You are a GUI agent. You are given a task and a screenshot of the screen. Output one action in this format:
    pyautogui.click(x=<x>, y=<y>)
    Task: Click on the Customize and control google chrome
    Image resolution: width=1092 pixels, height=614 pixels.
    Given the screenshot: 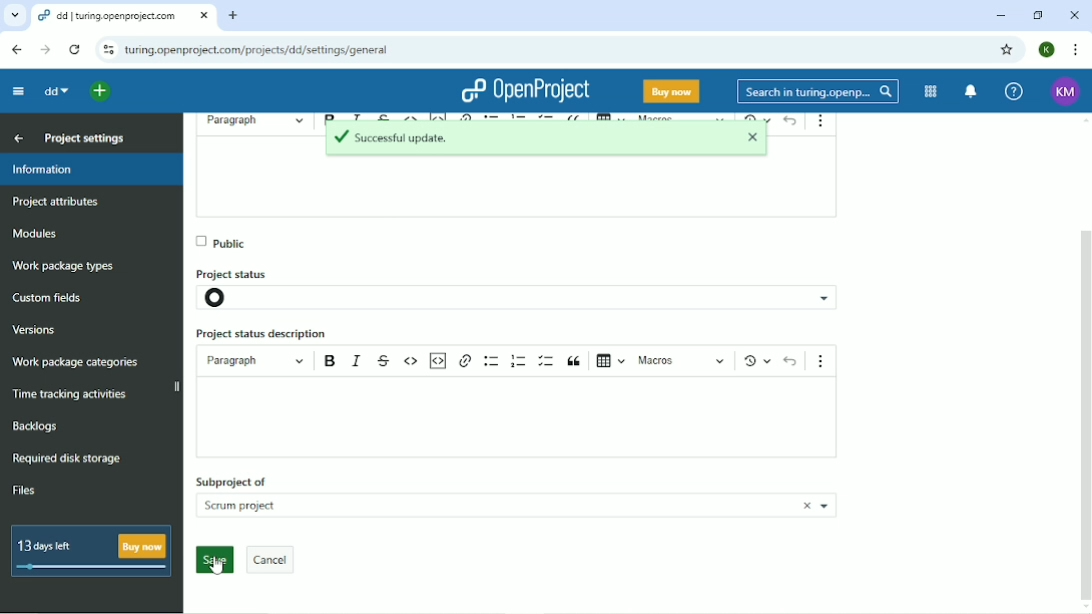 What is the action you would take?
    pyautogui.click(x=1076, y=50)
    